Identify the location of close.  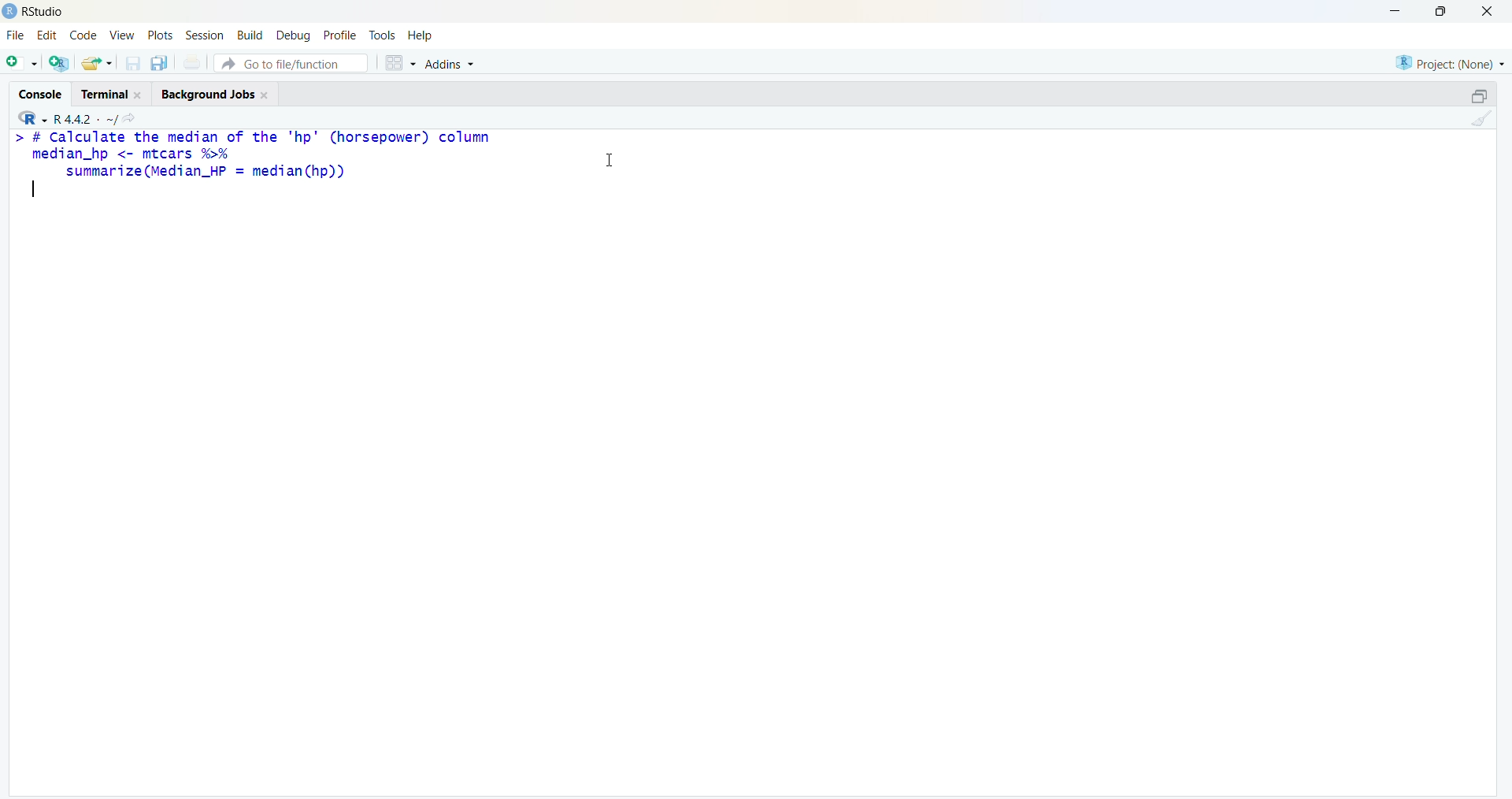
(1488, 10).